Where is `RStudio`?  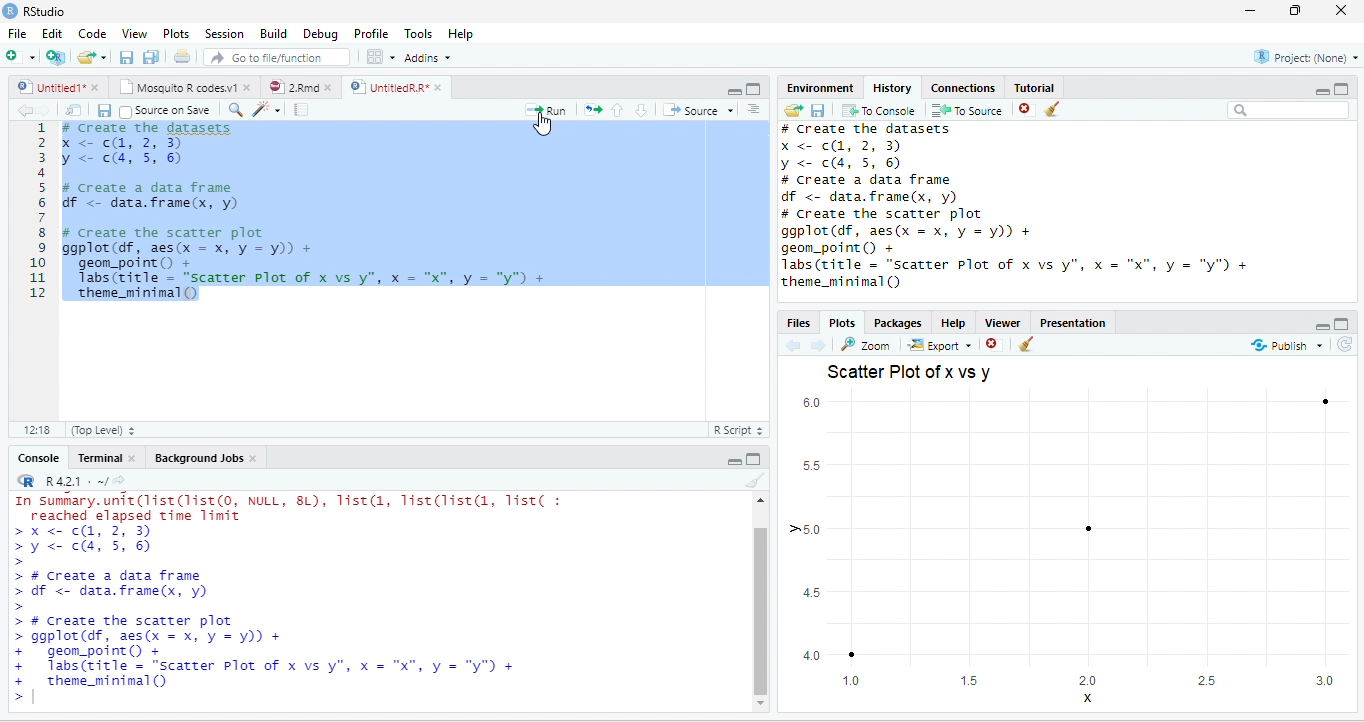 RStudio is located at coordinates (34, 11).